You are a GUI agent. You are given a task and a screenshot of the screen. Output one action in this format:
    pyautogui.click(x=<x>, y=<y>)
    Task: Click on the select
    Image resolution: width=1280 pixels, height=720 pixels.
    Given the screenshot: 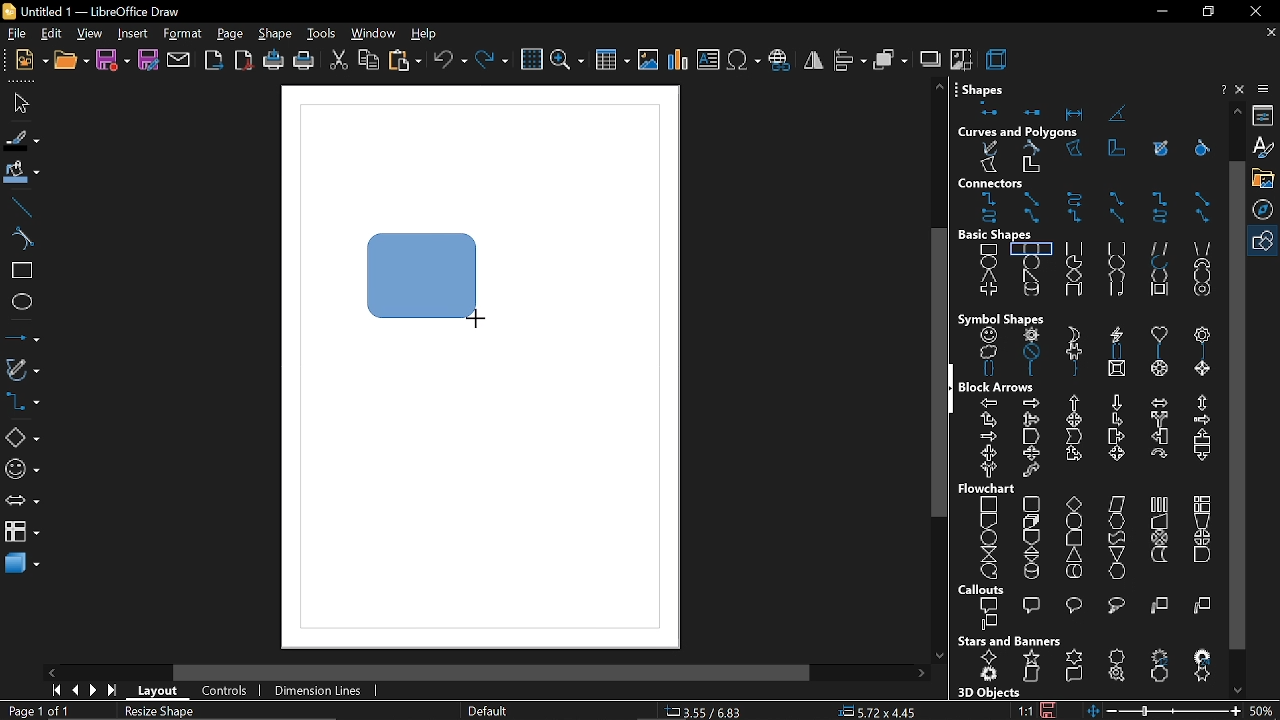 What is the action you would take?
    pyautogui.click(x=18, y=102)
    